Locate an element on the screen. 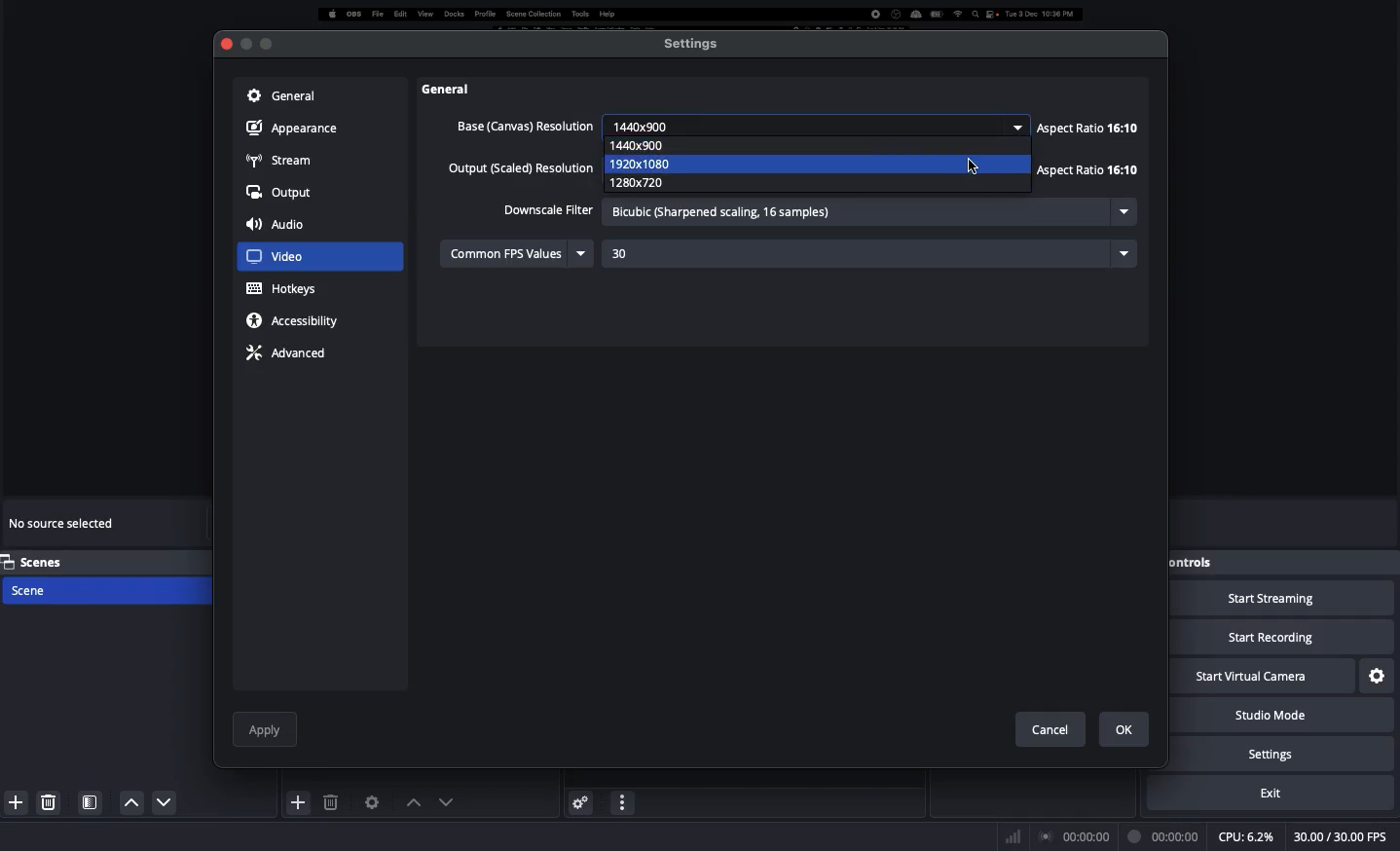 This screenshot has width=1400, height=851. minimize is located at coordinates (267, 40).